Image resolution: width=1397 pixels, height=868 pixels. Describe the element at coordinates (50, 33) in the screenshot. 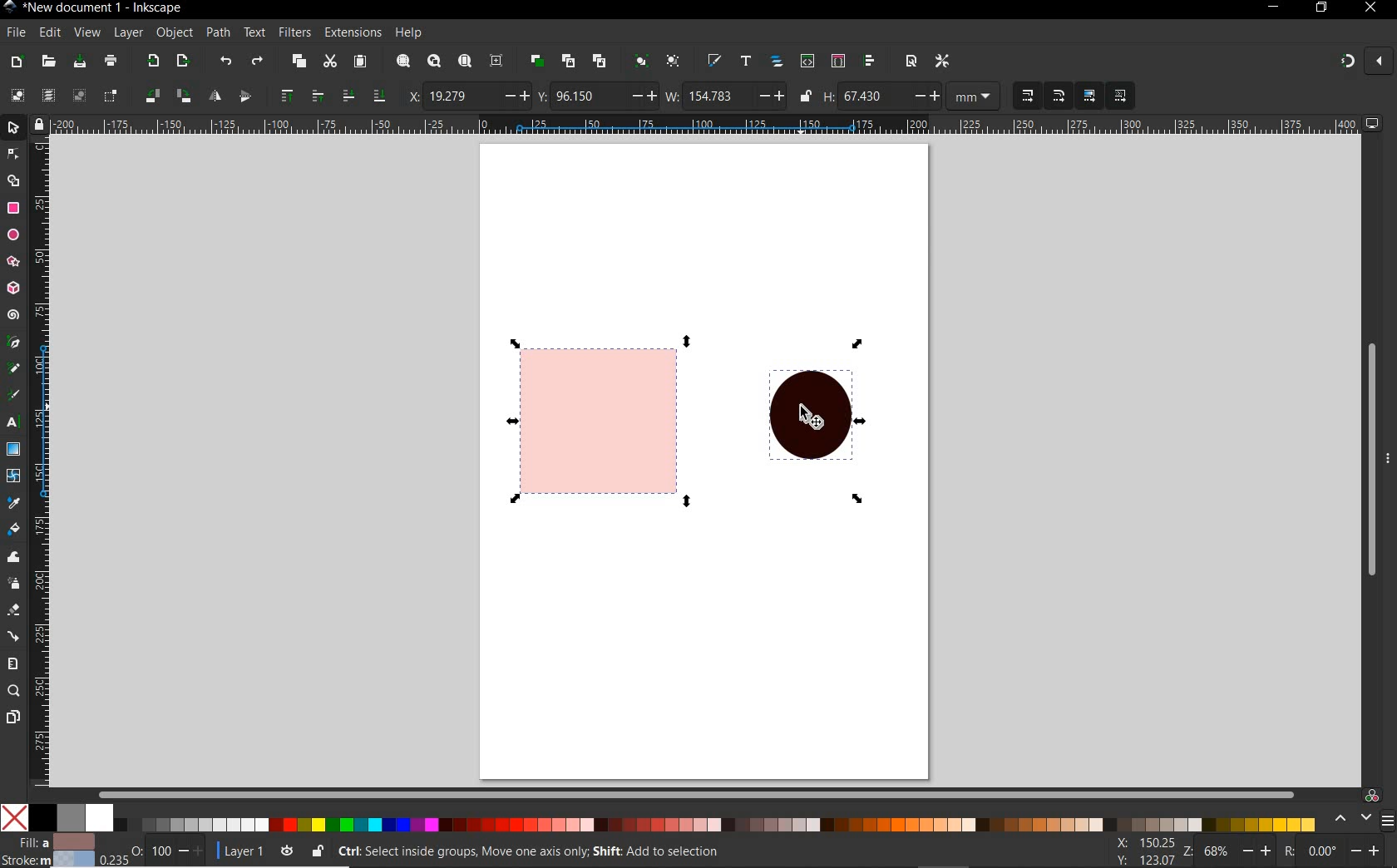

I see `edit` at that location.